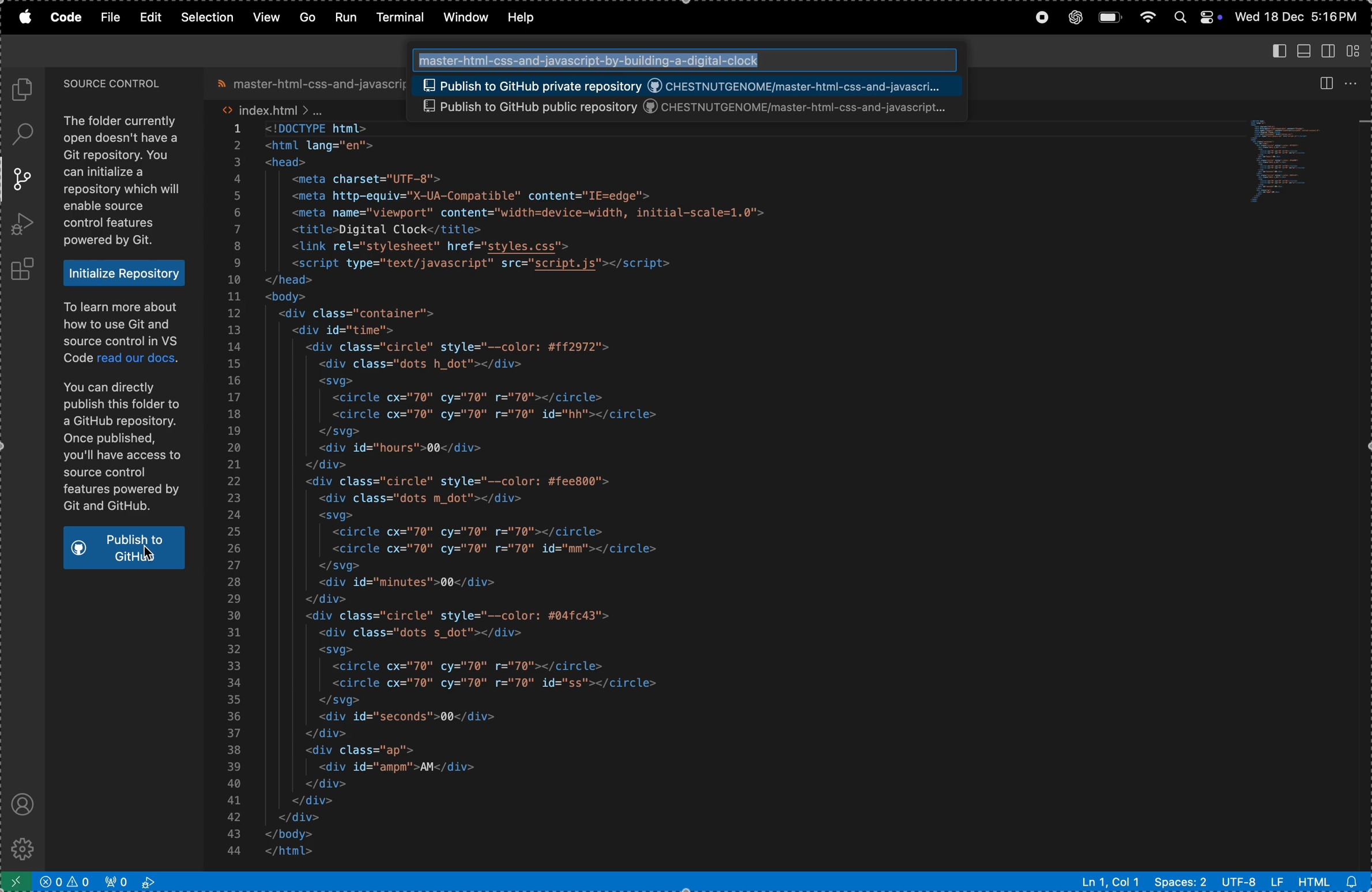 The height and width of the screenshot is (892, 1372). I want to click on <title>Digital Clock</title>, so click(389, 230).